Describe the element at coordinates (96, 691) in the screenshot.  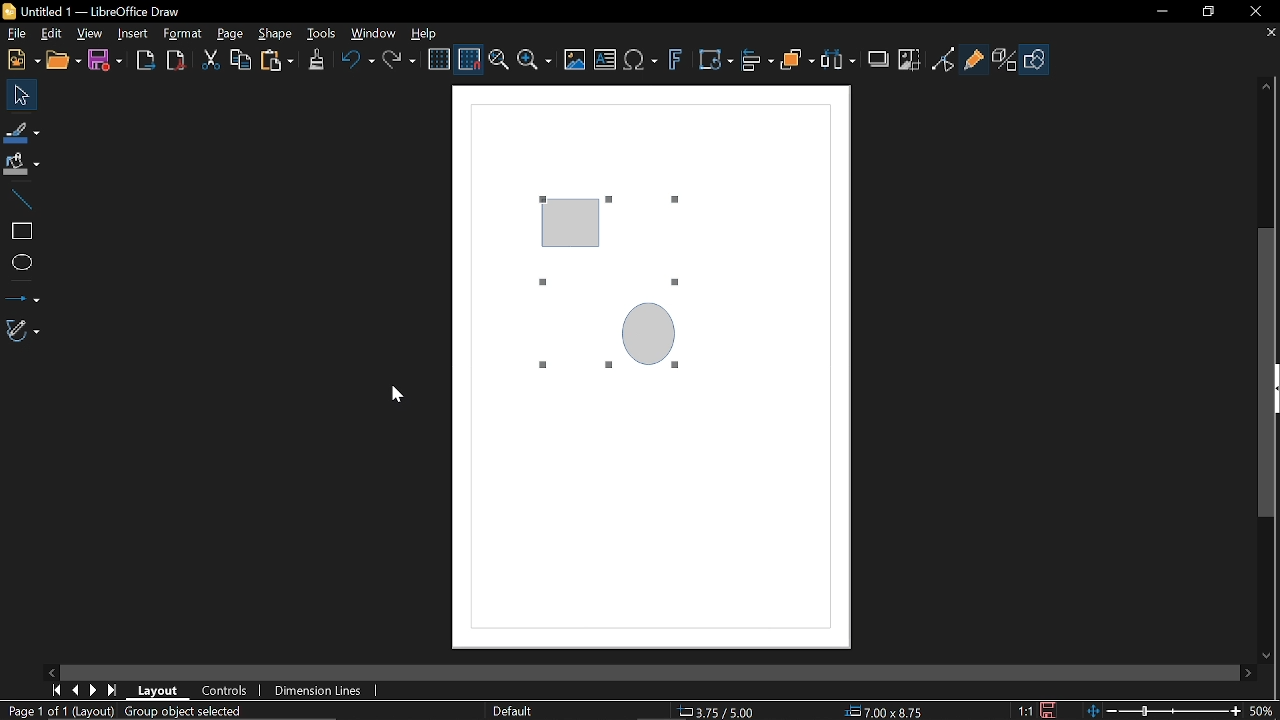
I see `Next page` at that location.